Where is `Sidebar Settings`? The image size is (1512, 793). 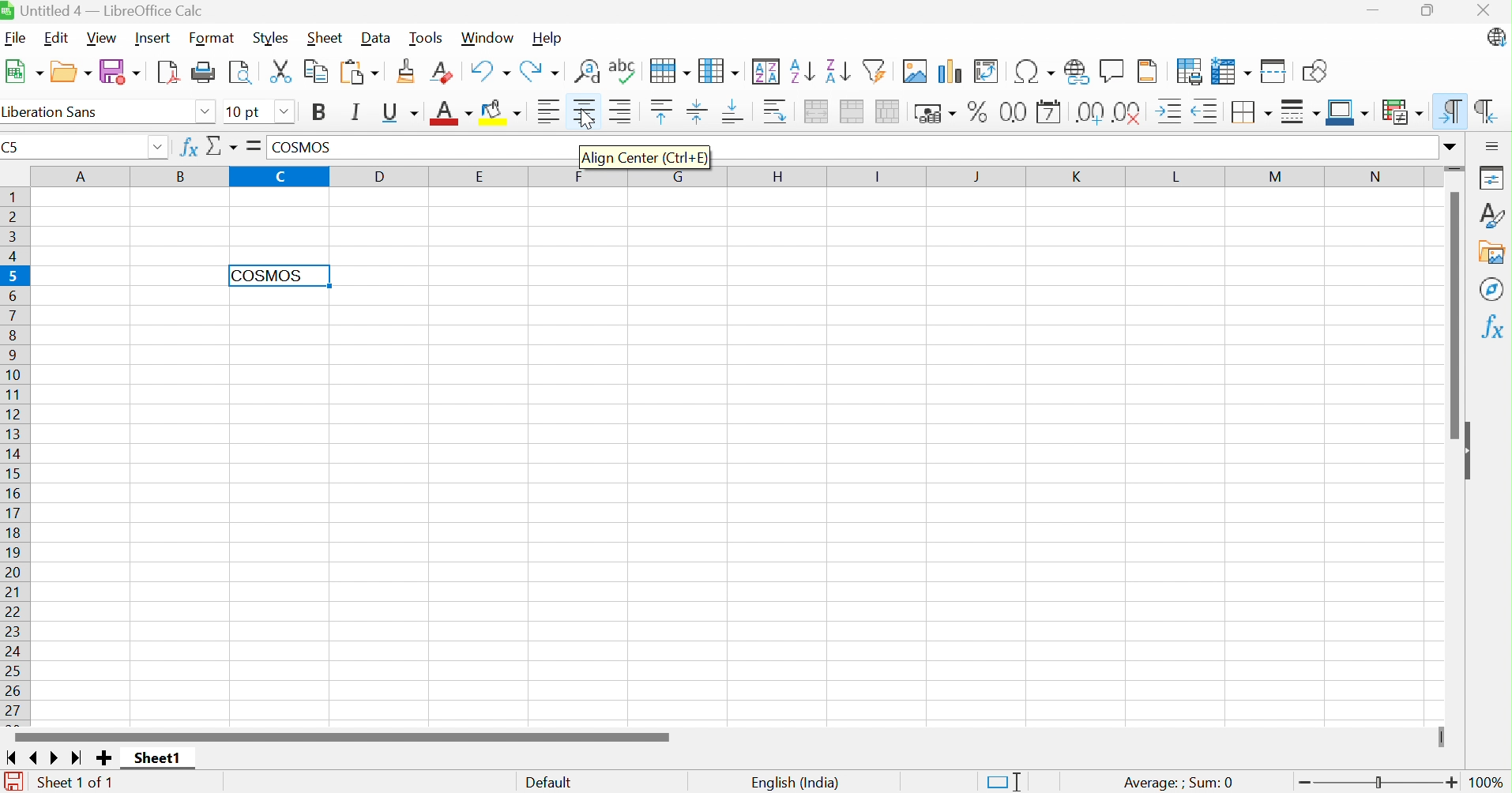 Sidebar Settings is located at coordinates (1495, 145).